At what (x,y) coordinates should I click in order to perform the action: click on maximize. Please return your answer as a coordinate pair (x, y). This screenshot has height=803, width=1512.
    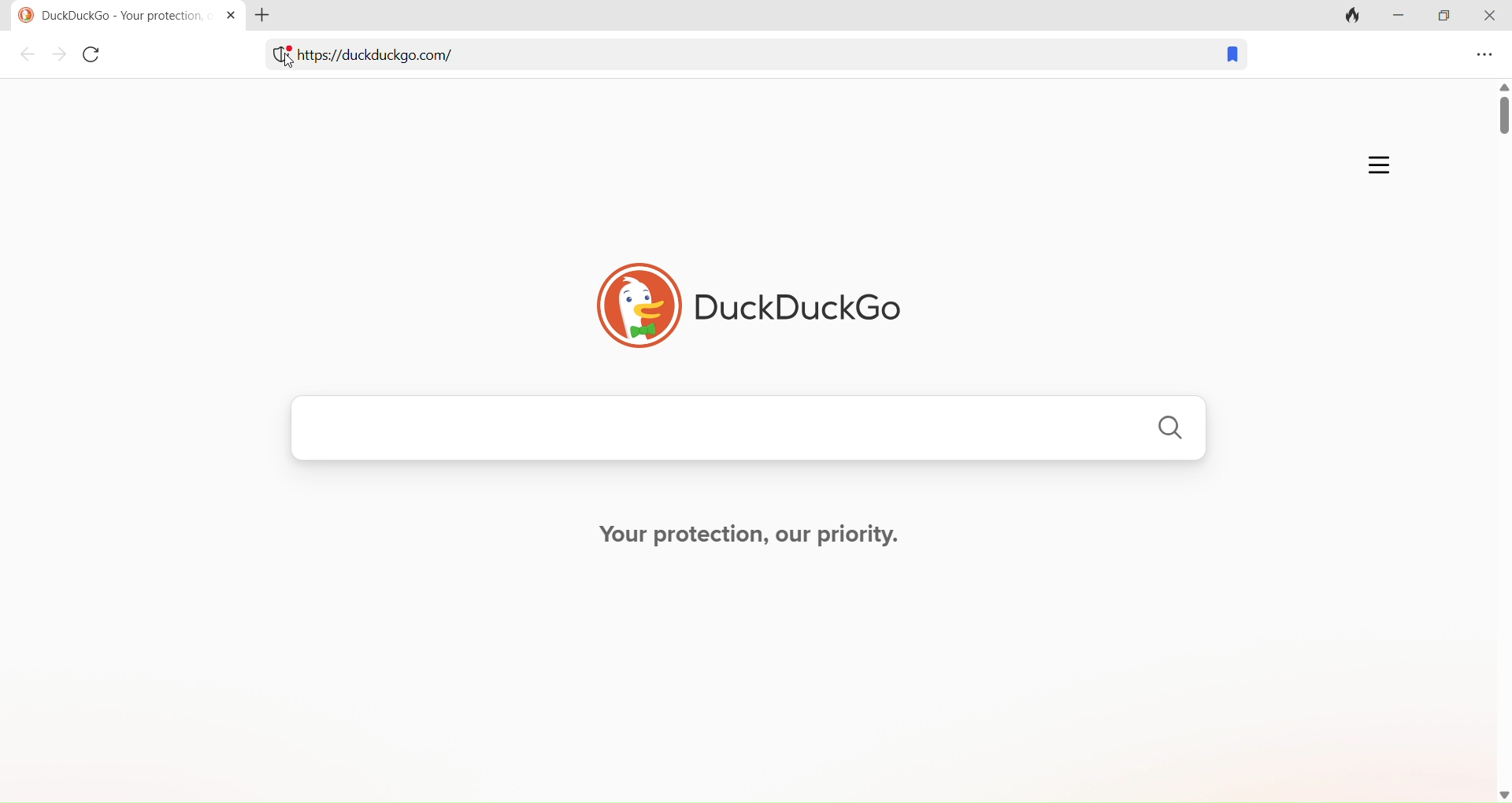
    Looking at the image, I should click on (1444, 19).